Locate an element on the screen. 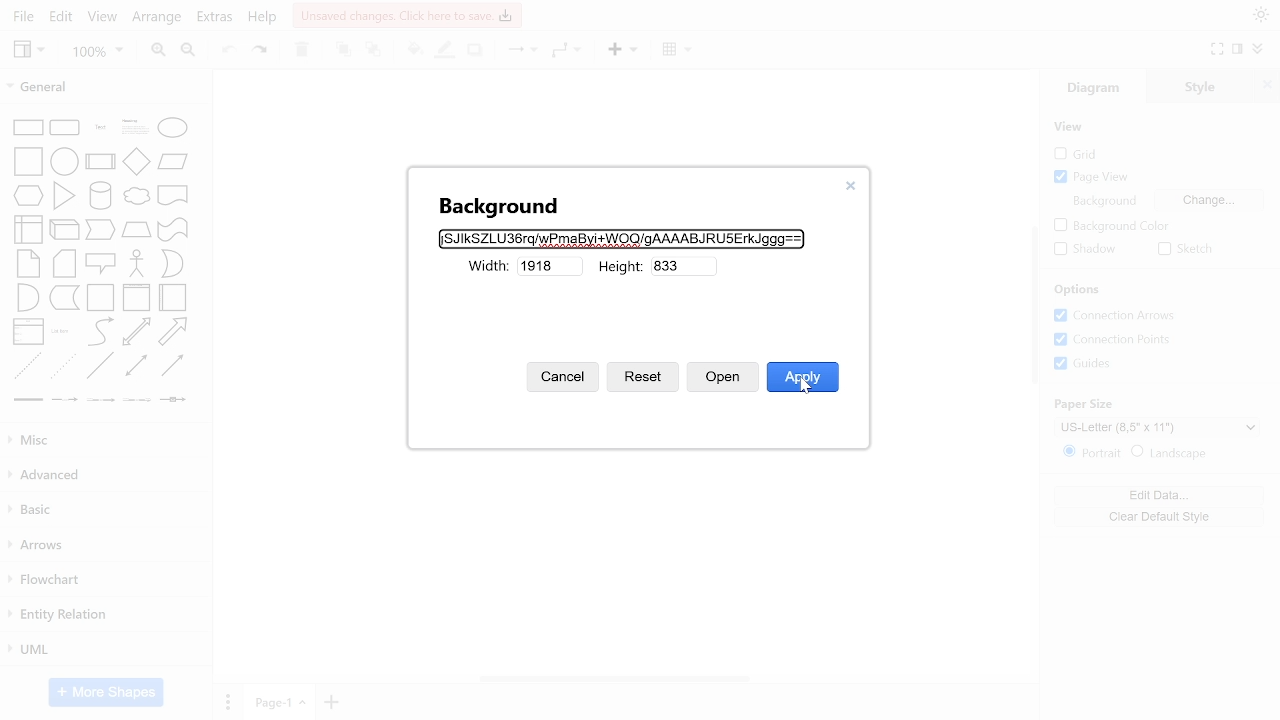  landscape is located at coordinates (1171, 453).